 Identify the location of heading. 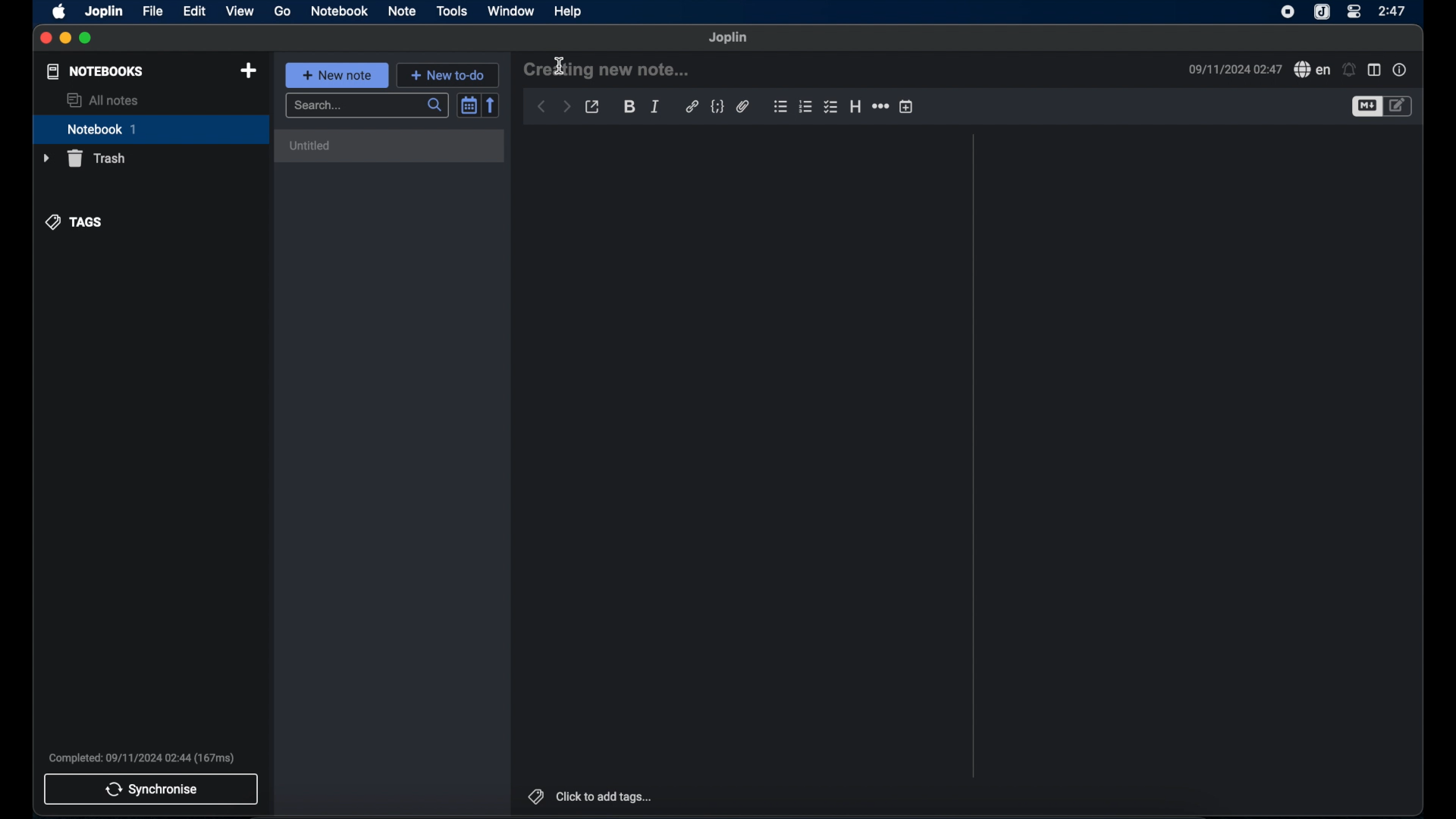
(855, 106).